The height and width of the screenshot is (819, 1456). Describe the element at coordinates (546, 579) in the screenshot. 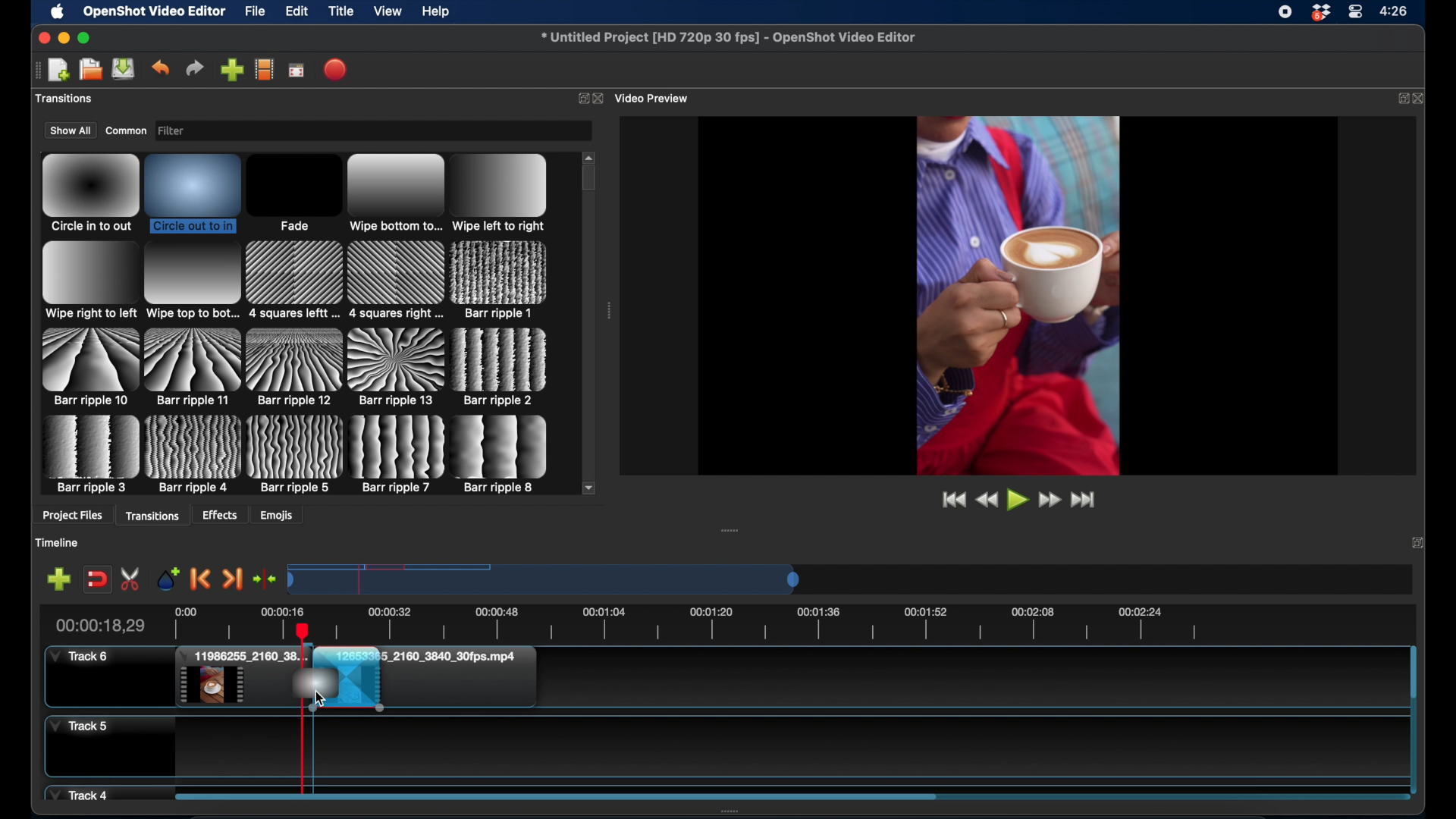

I see `timeline scale` at that location.